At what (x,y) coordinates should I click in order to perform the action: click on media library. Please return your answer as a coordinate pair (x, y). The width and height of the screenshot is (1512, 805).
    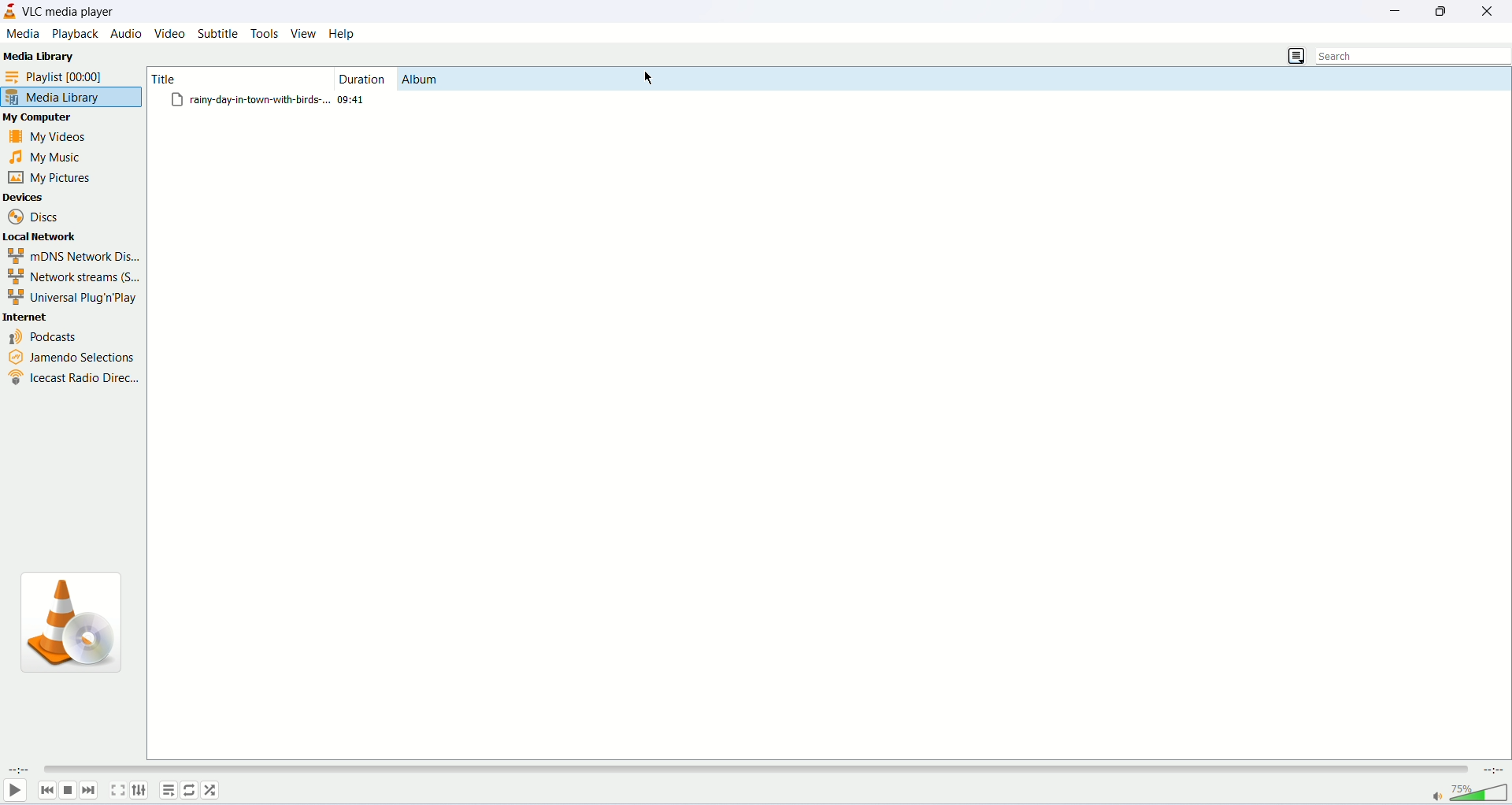
    Looking at the image, I should click on (71, 98).